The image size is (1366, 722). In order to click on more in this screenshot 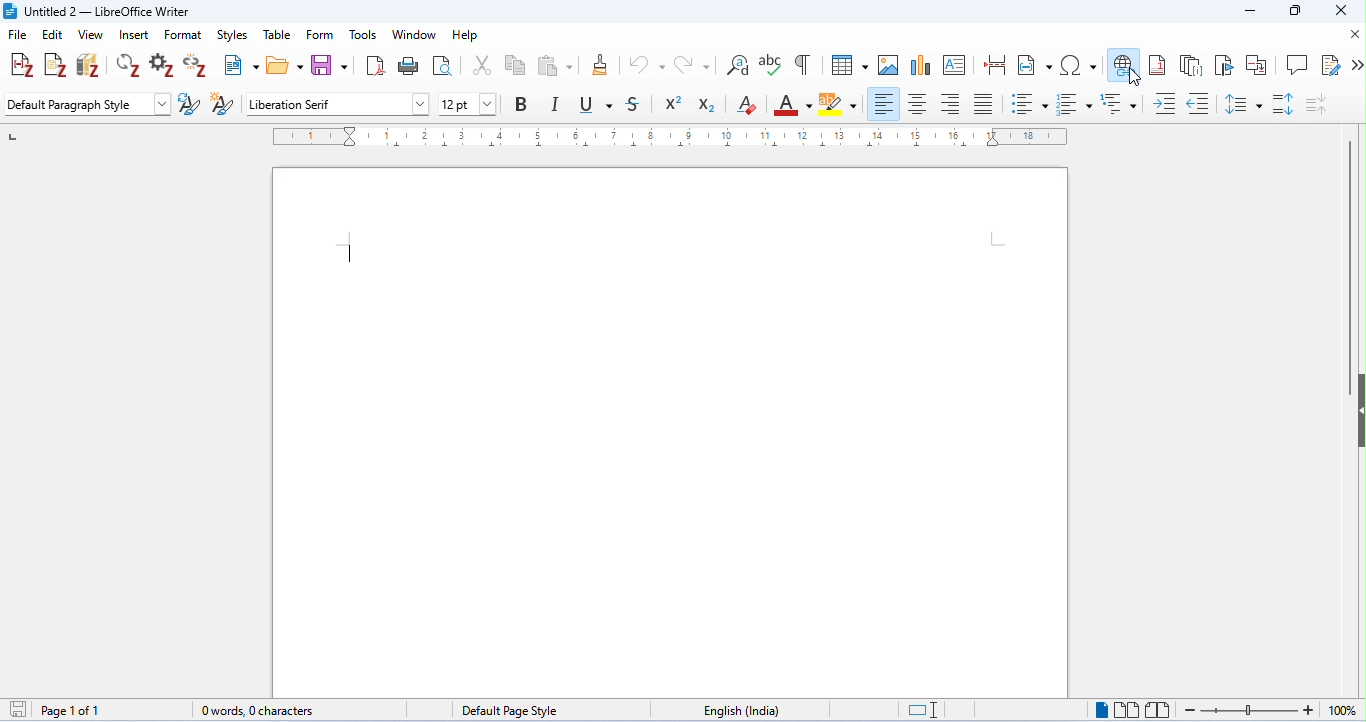, I will do `click(1357, 67)`.